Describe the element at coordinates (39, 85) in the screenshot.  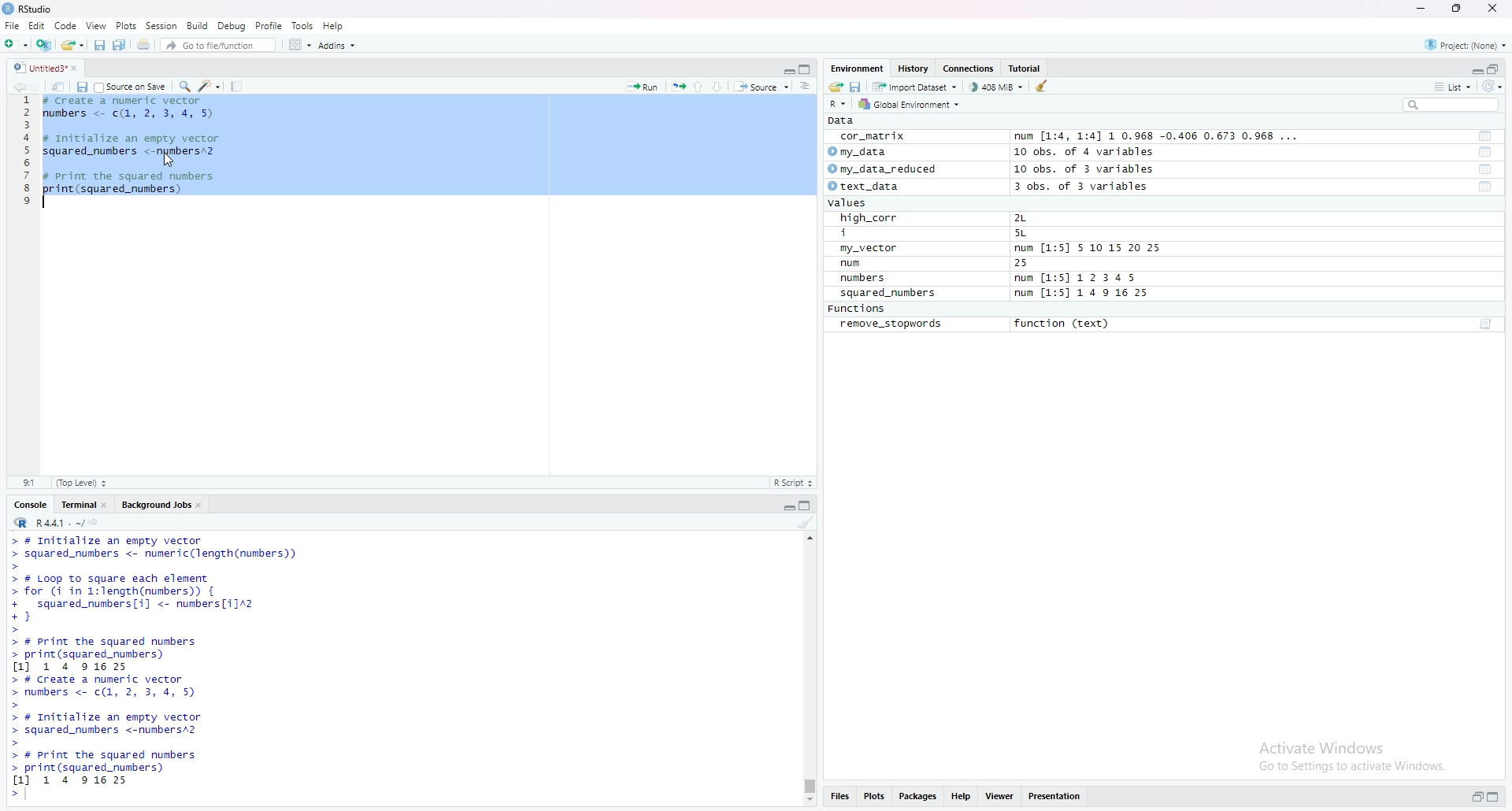
I see `move forward` at that location.